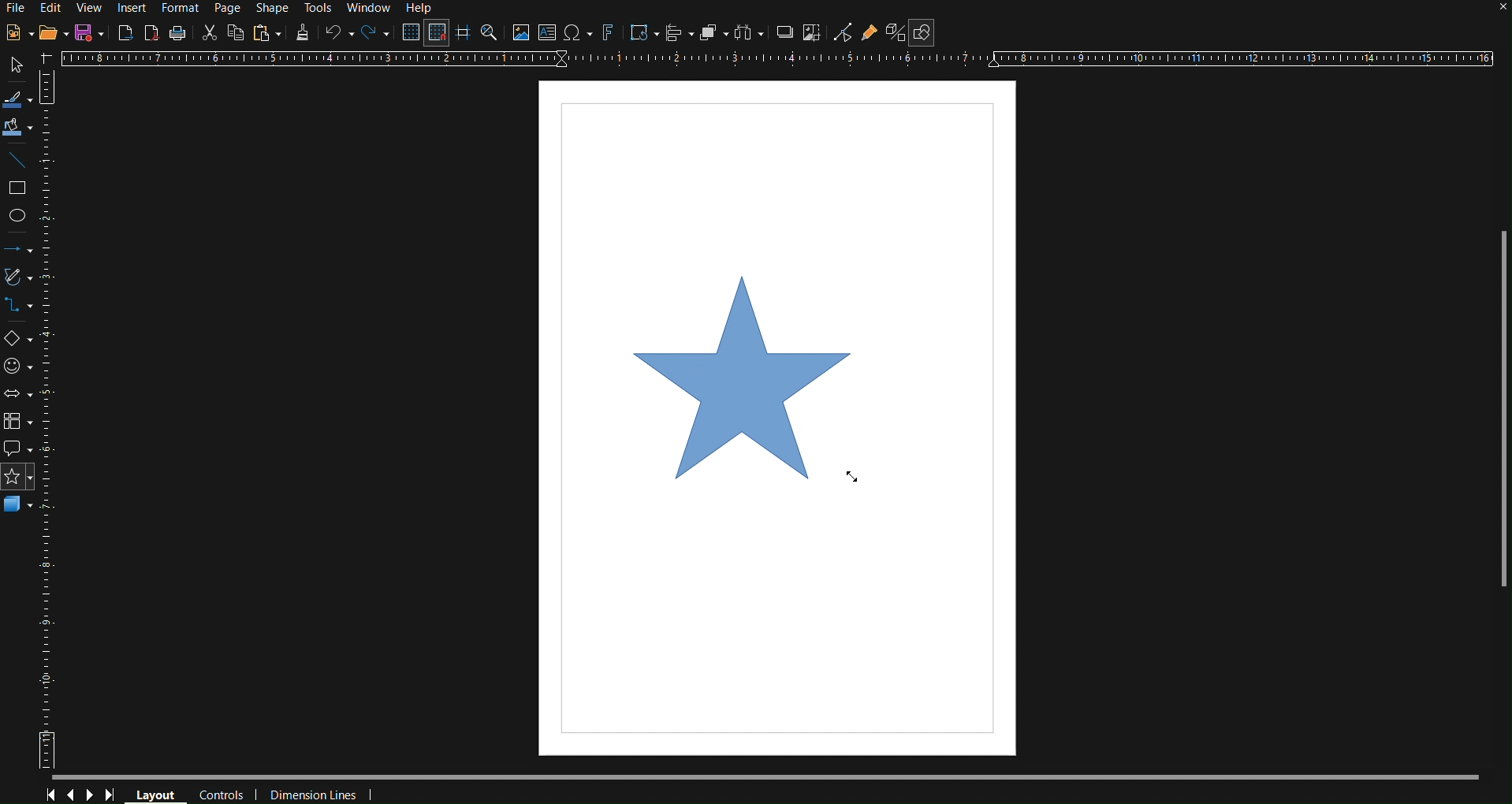 This screenshot has height=804, width=1512. I want to click on Box Arrows, so click(20, 395).